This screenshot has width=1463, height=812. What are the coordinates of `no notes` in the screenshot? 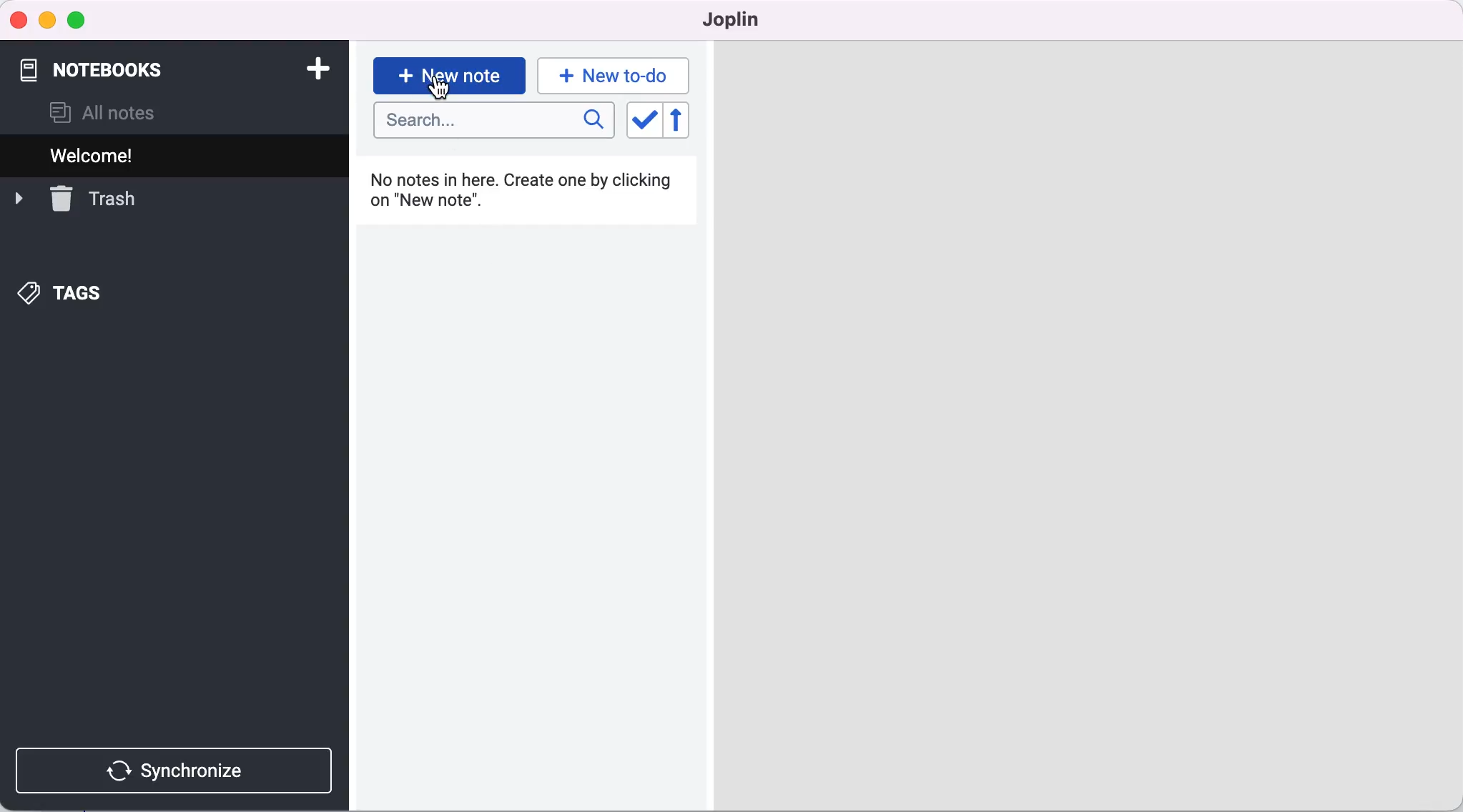 It's located at (535, 192).